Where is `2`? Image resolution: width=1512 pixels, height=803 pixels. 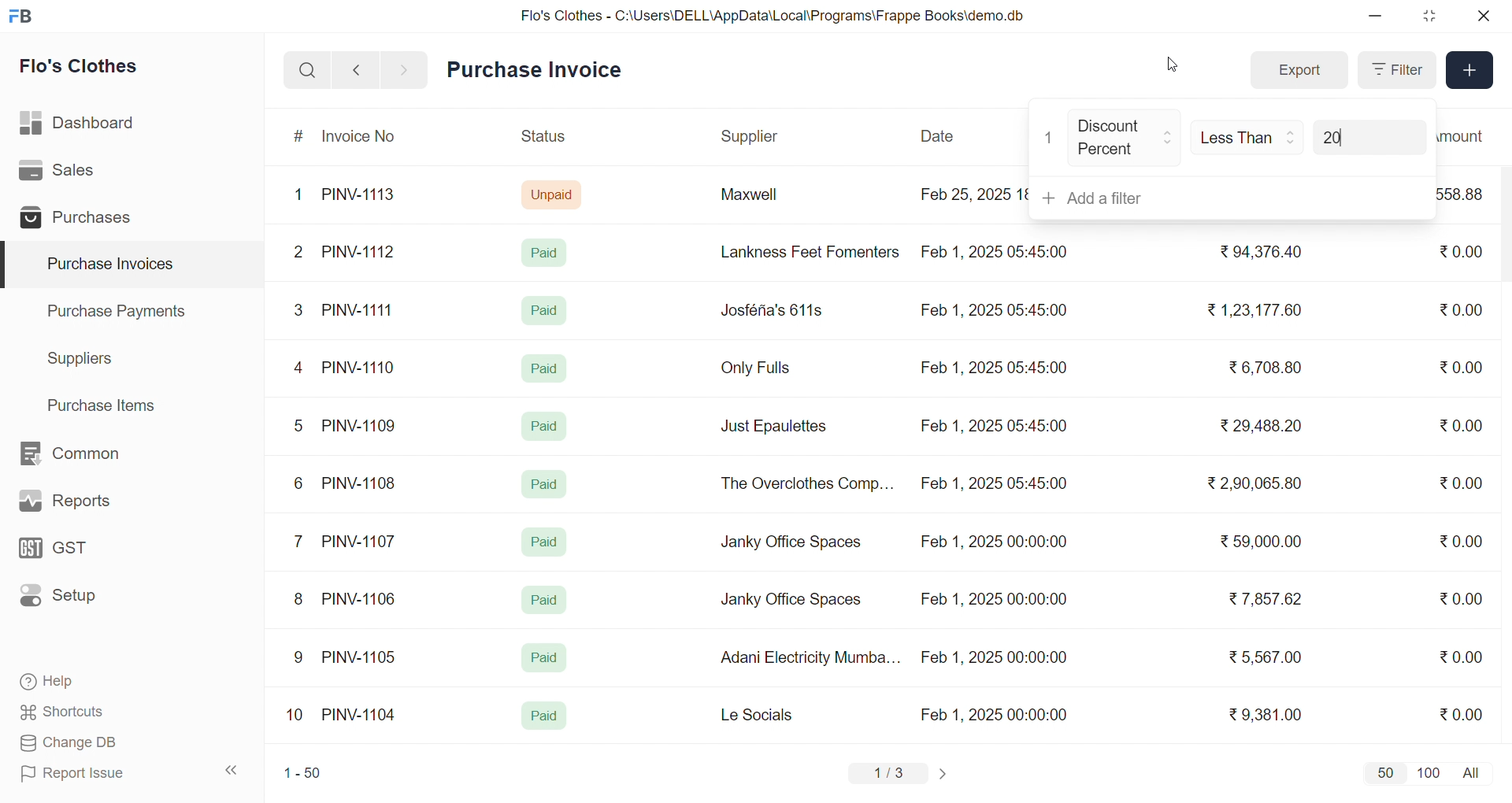 2 is located at coordinates (301, 254).